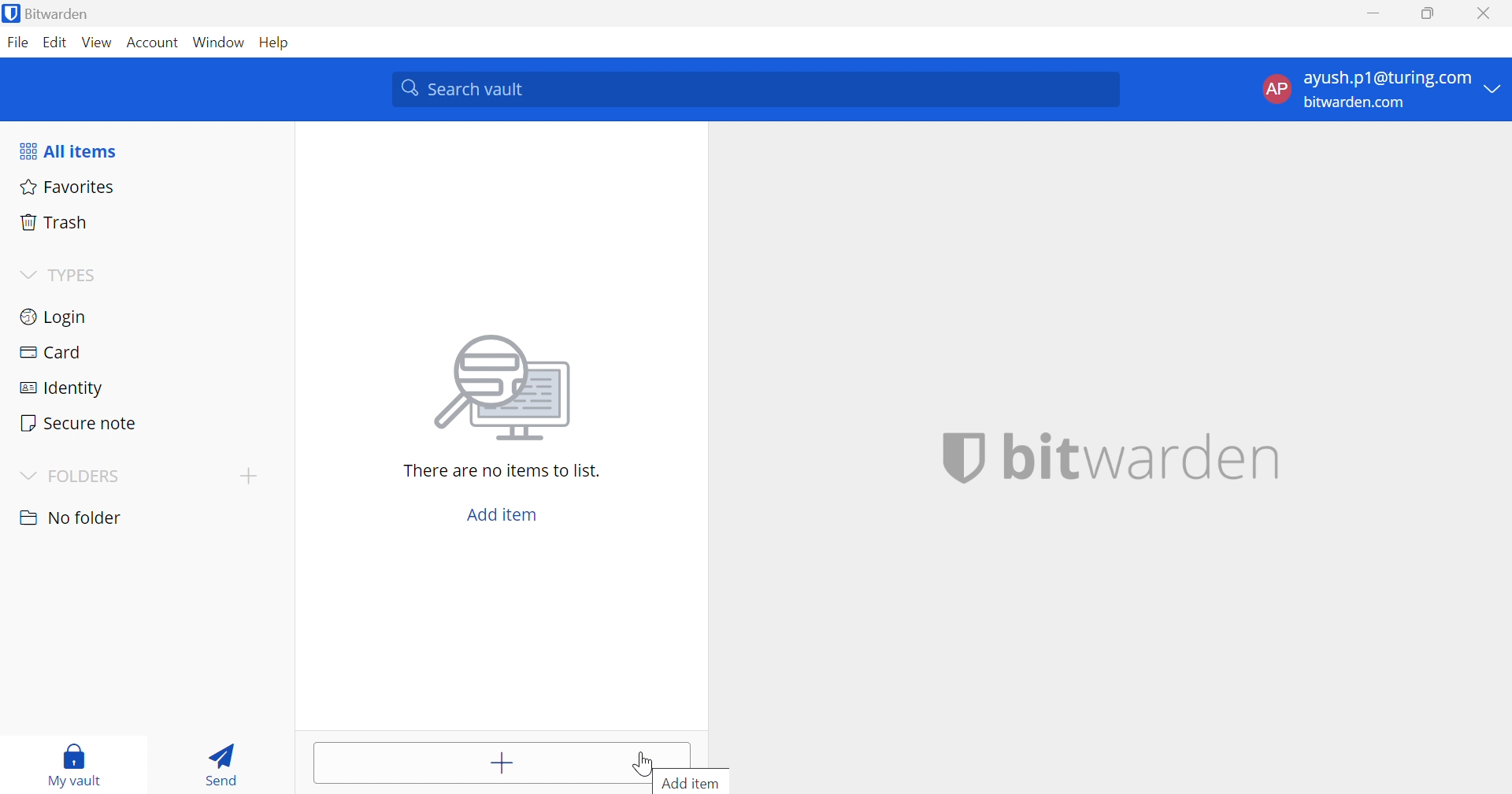 The width and height of the screenshot is (1512, 794). I want to click on bitwarden logo, so click(11, 13).